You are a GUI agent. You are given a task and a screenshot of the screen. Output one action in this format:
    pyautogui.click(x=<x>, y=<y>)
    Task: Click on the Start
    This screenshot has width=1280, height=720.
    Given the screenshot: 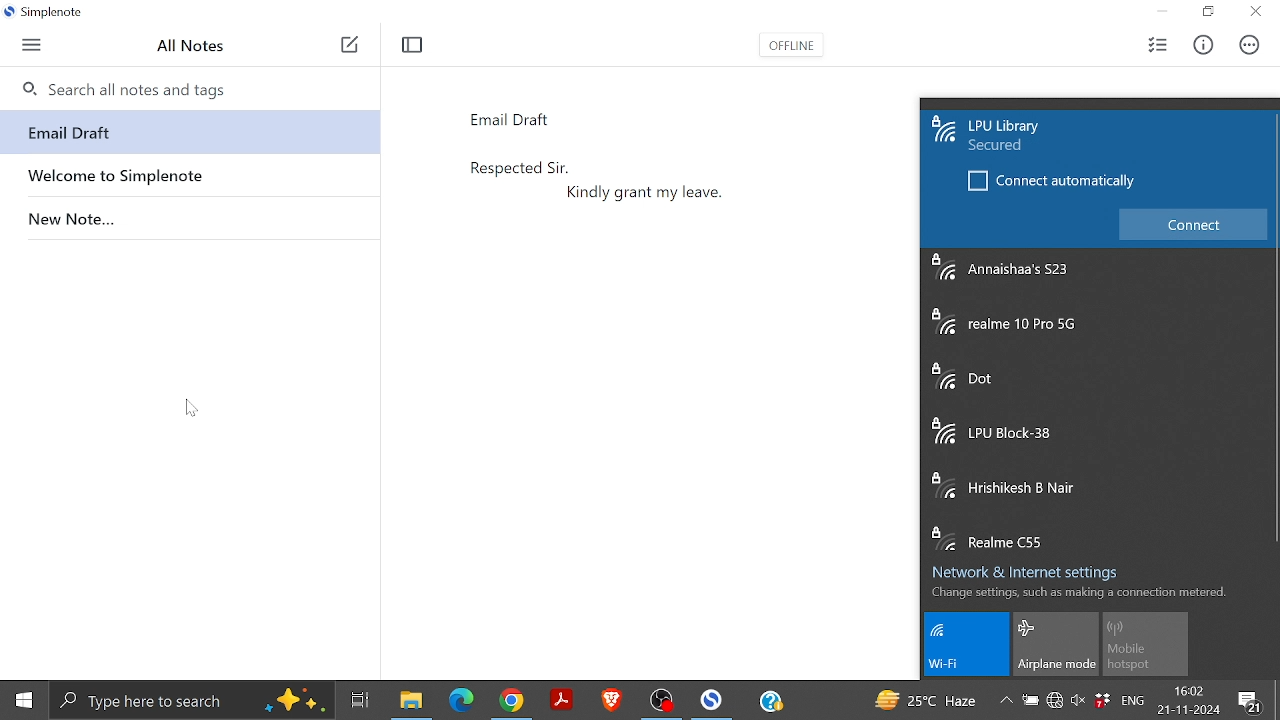 What is the action you would take?
    pyautogui.click(x=23, y=701)
    